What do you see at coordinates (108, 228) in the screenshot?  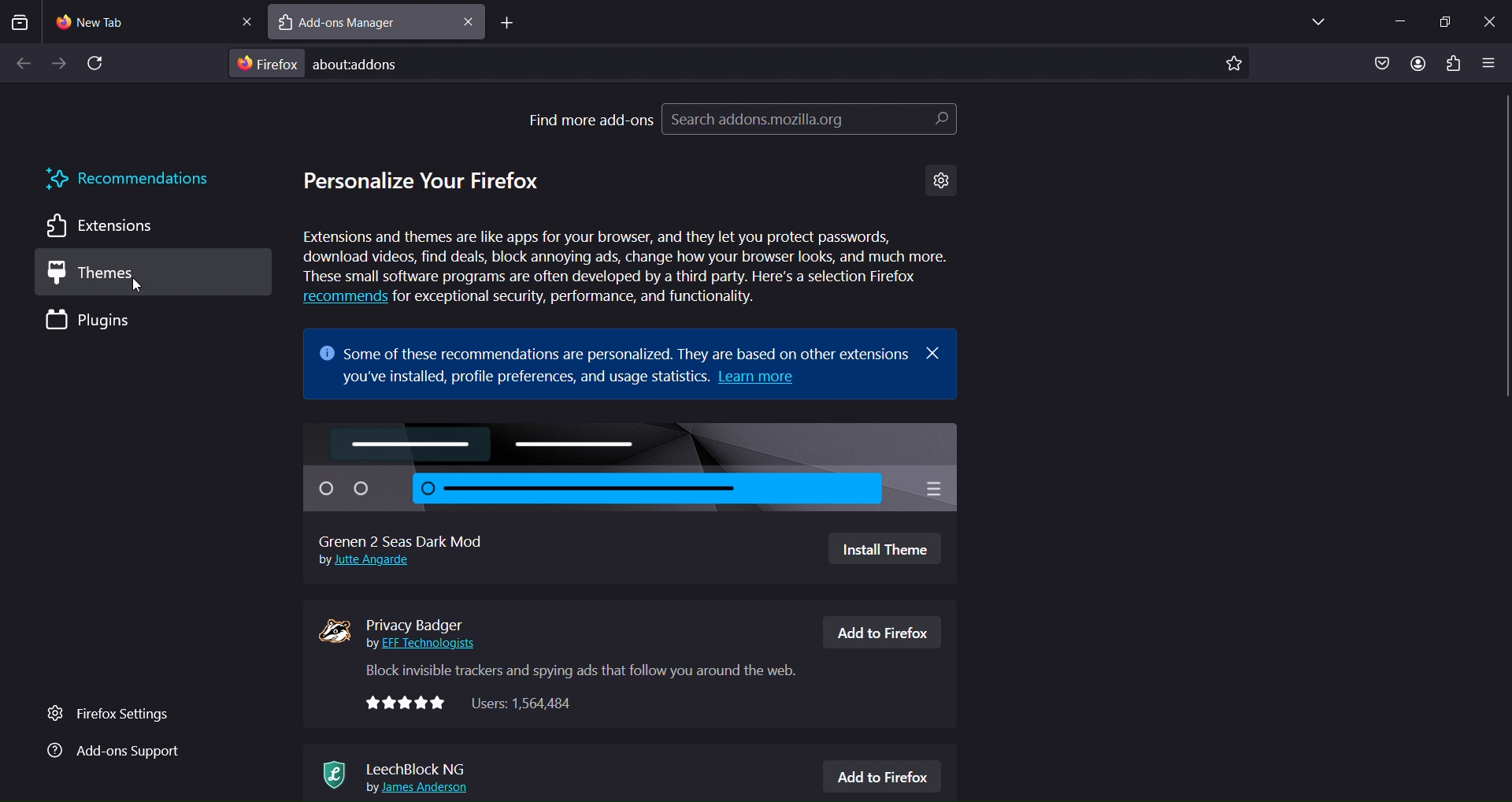 I see `extensions` at bounding box center [108, 228].